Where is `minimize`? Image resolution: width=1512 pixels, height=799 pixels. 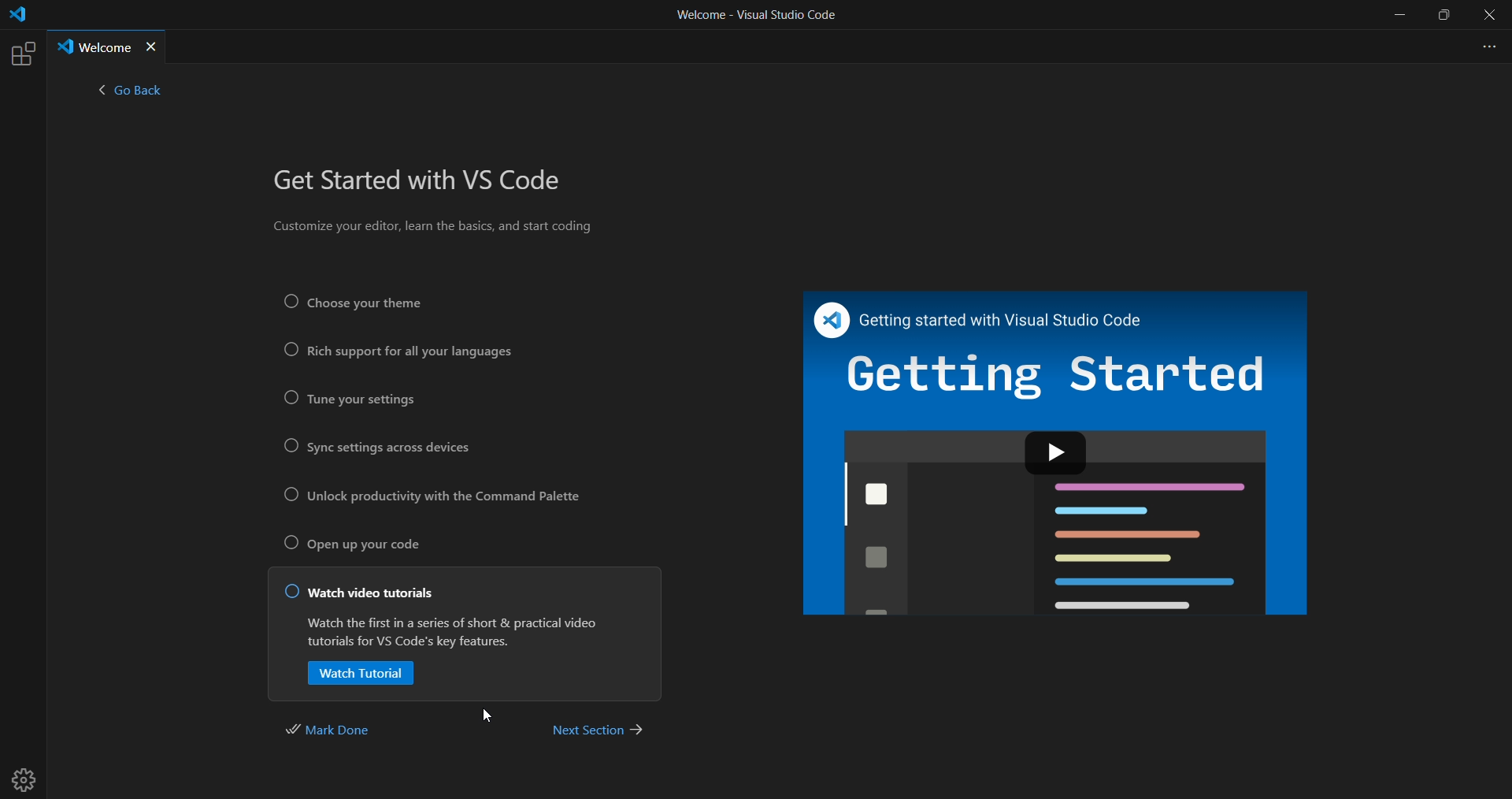 minimize is located at coordinates (1398, 15).